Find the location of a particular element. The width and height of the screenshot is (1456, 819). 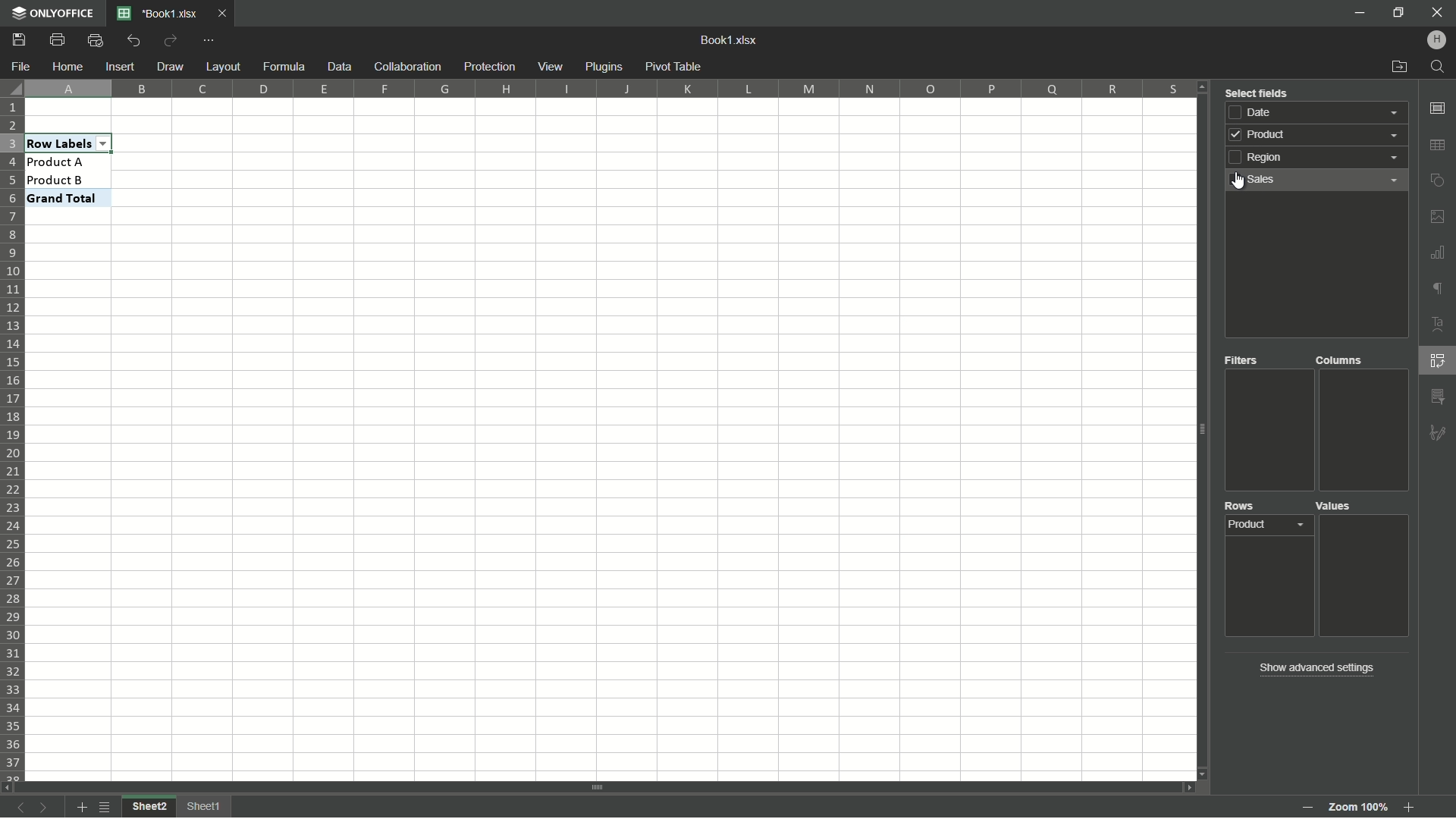

Draw is located at coordinates (170, 65).